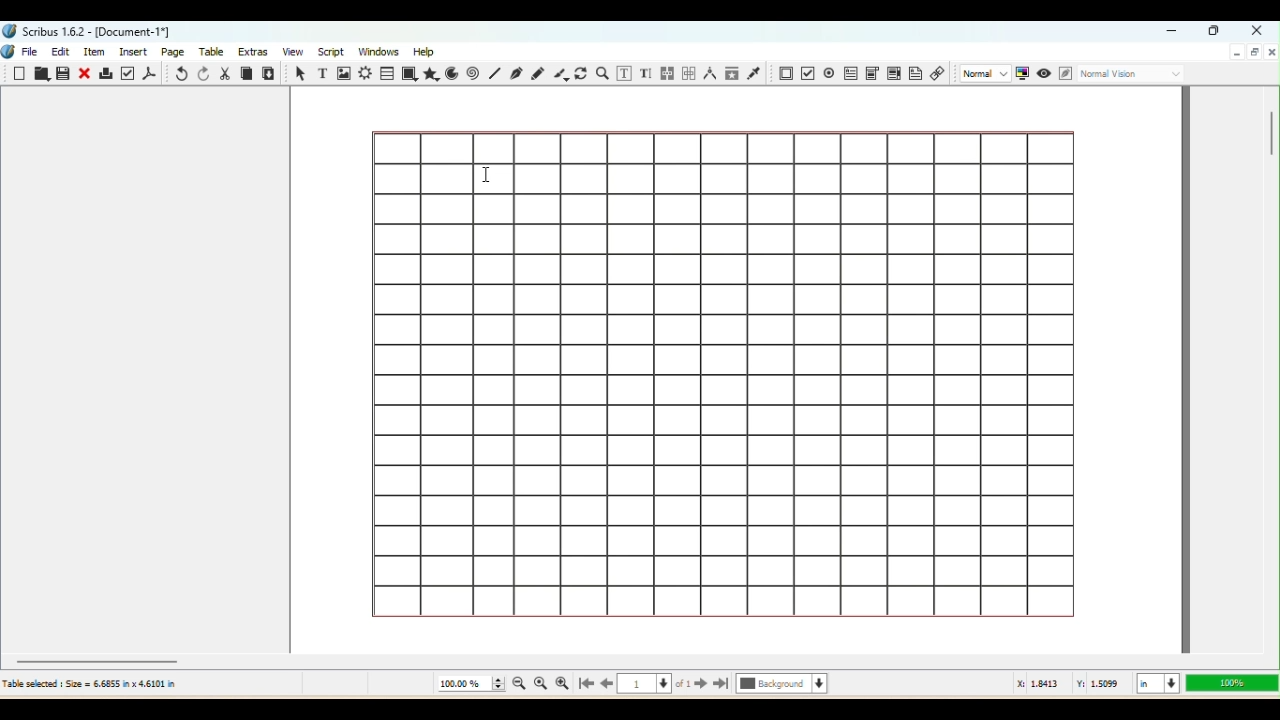 The image size is (1280, 720). What do you see at coordinates (562, 684) in the screenshot?
I see `Zoom in` at bounding box center [562, 684].